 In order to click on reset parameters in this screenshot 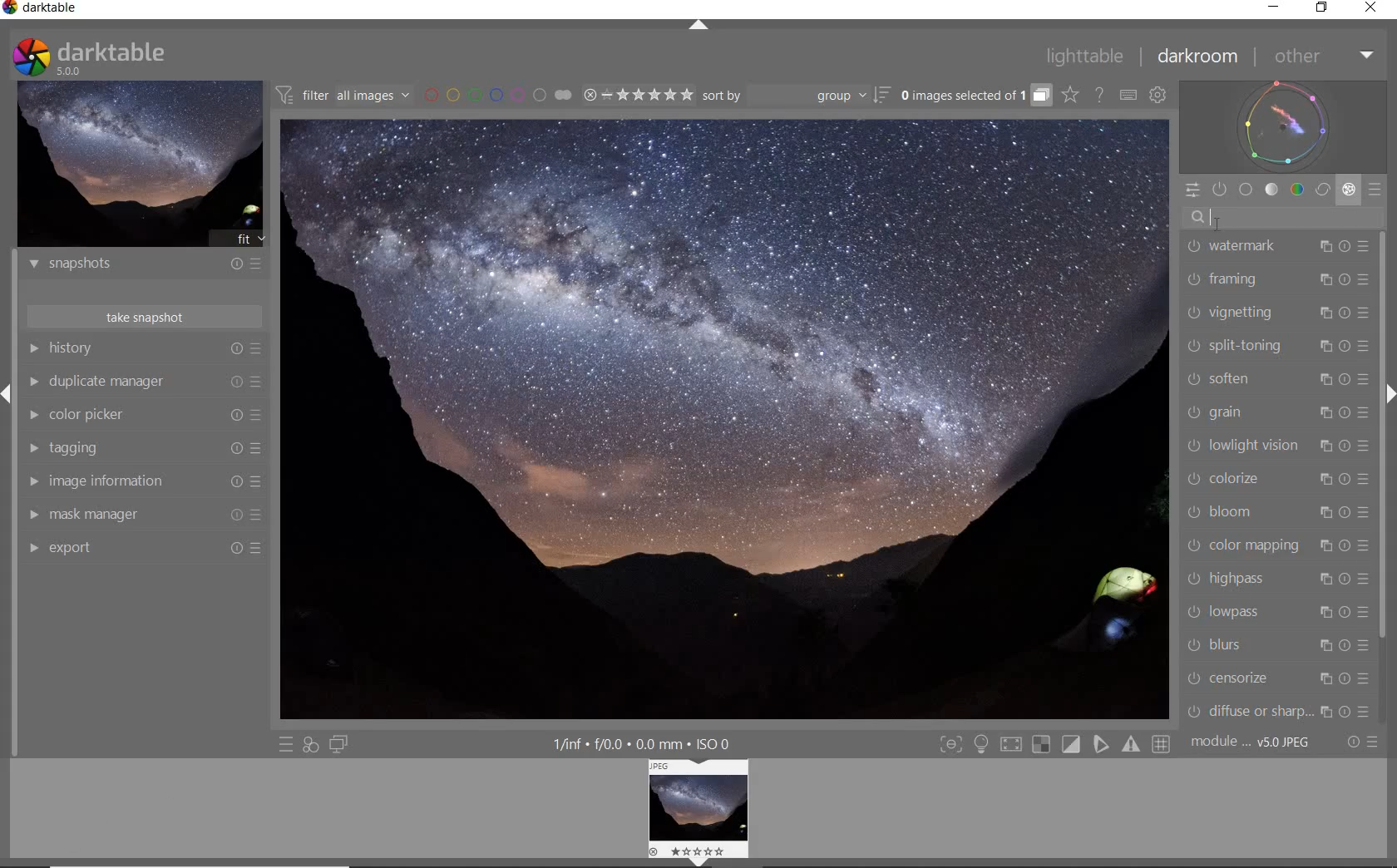, I will do `click(1346, 313)`.